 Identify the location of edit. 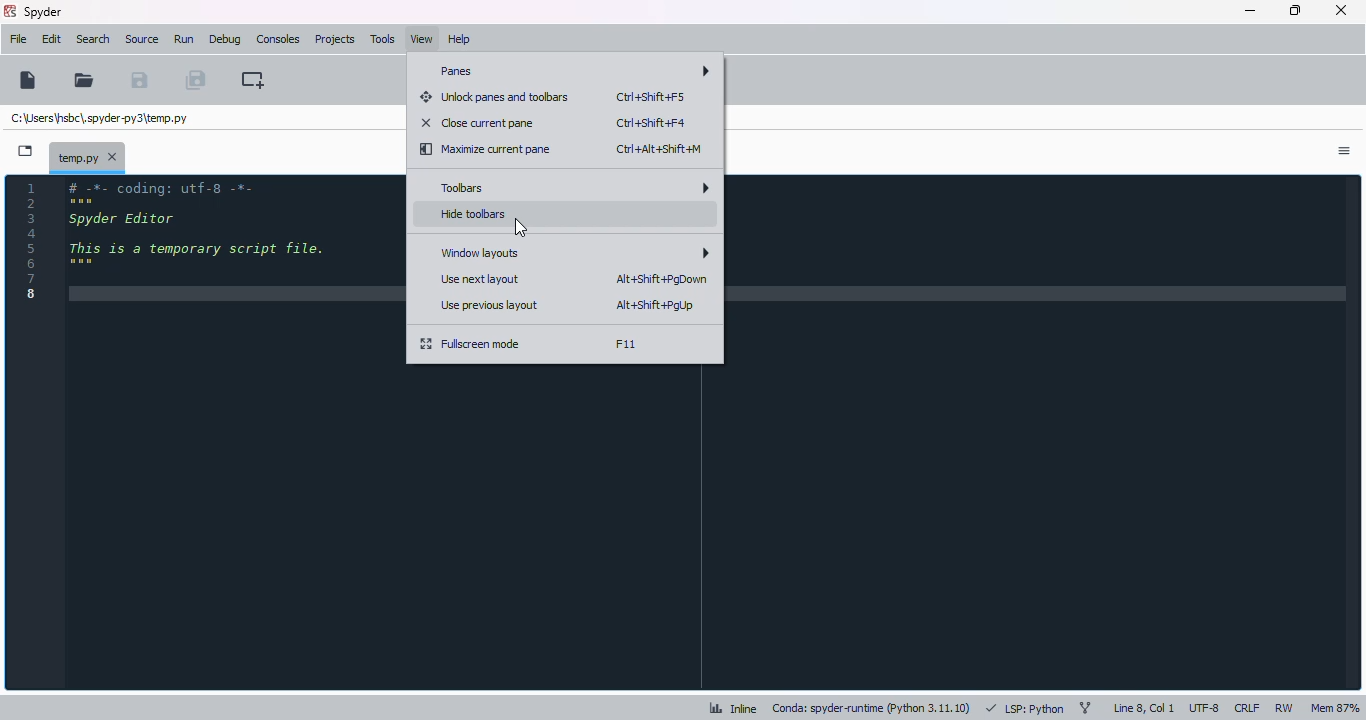
(51, 39).